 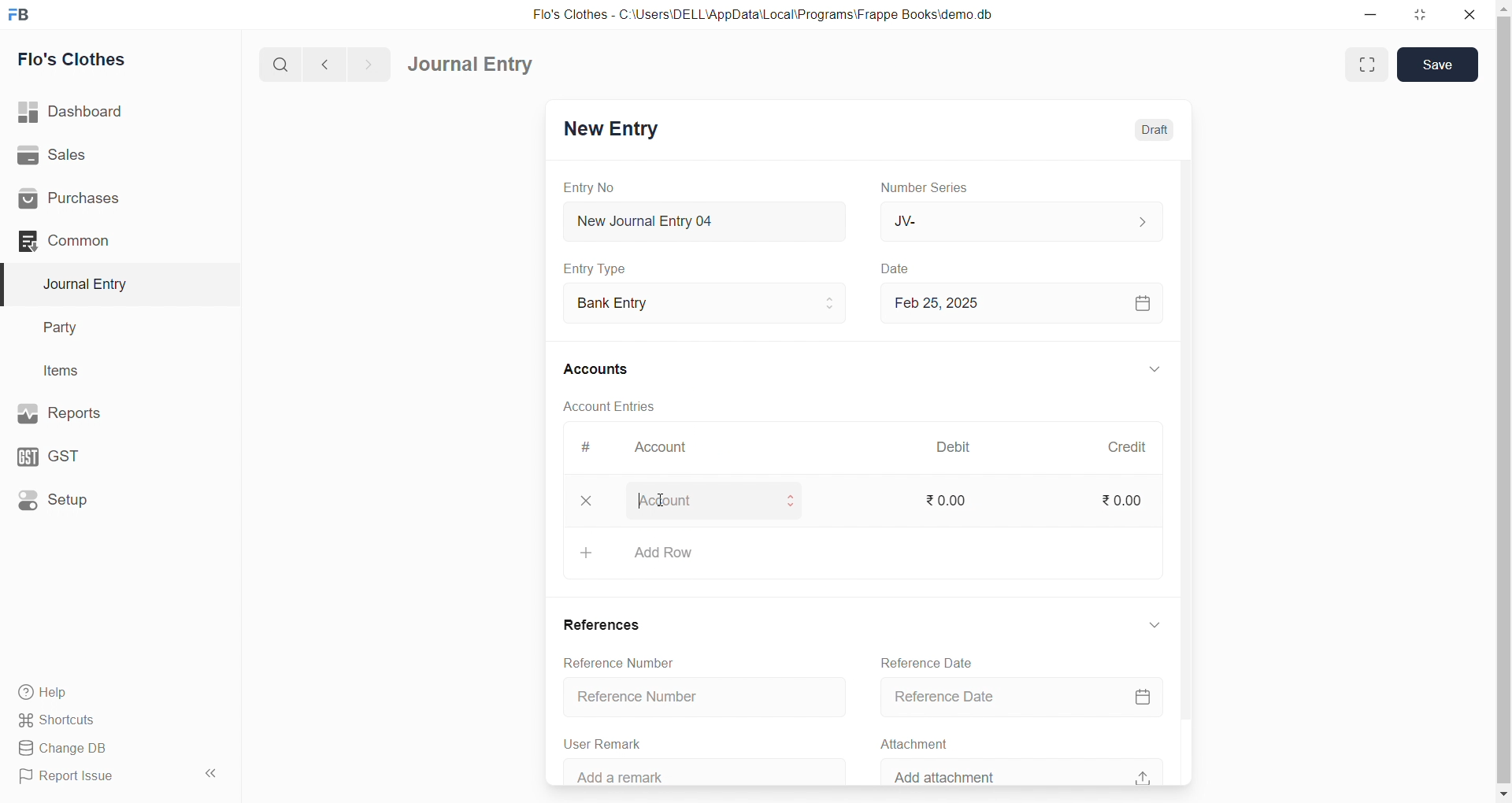 What do you see at coordinates (283, 63) in the screenshot?
I see `search` at bounding box center [283, 63].